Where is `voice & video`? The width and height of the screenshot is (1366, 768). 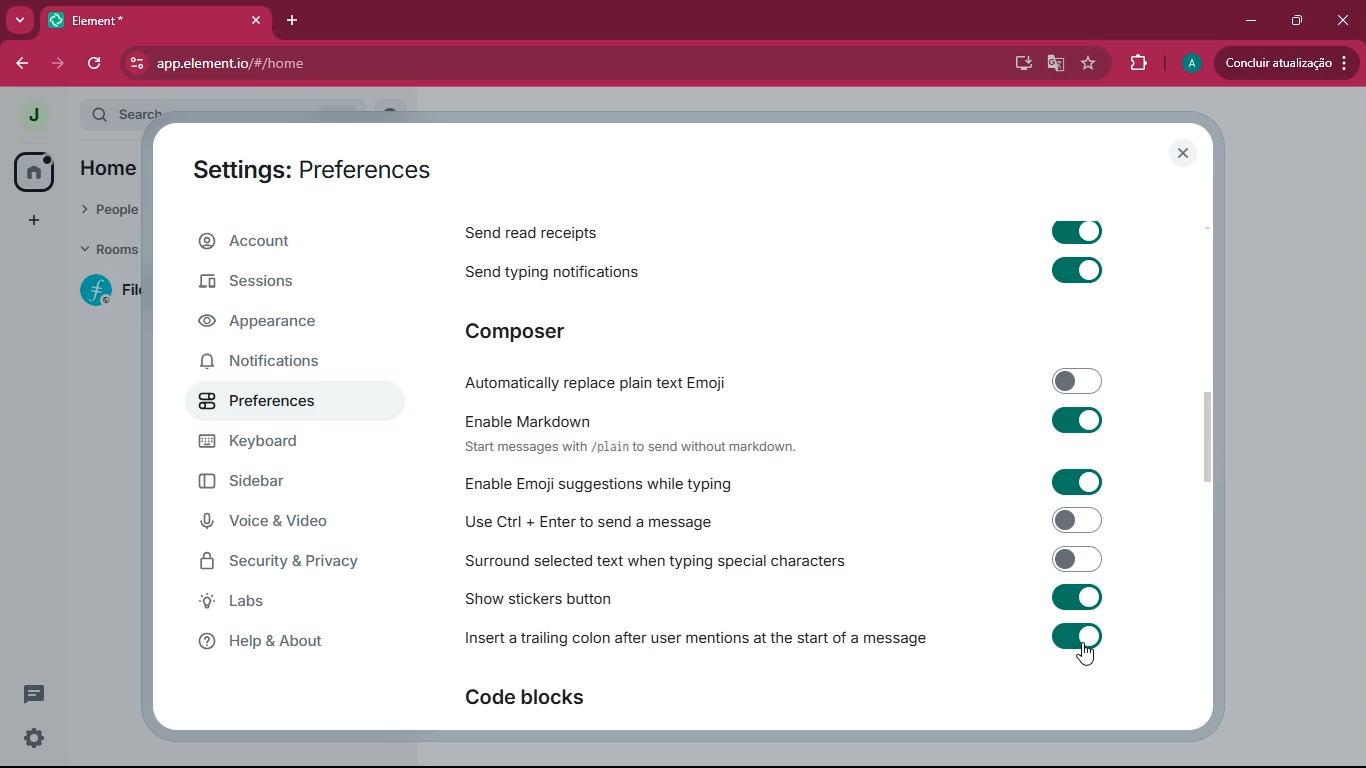 voice & video is located at coordinates (276, 523).